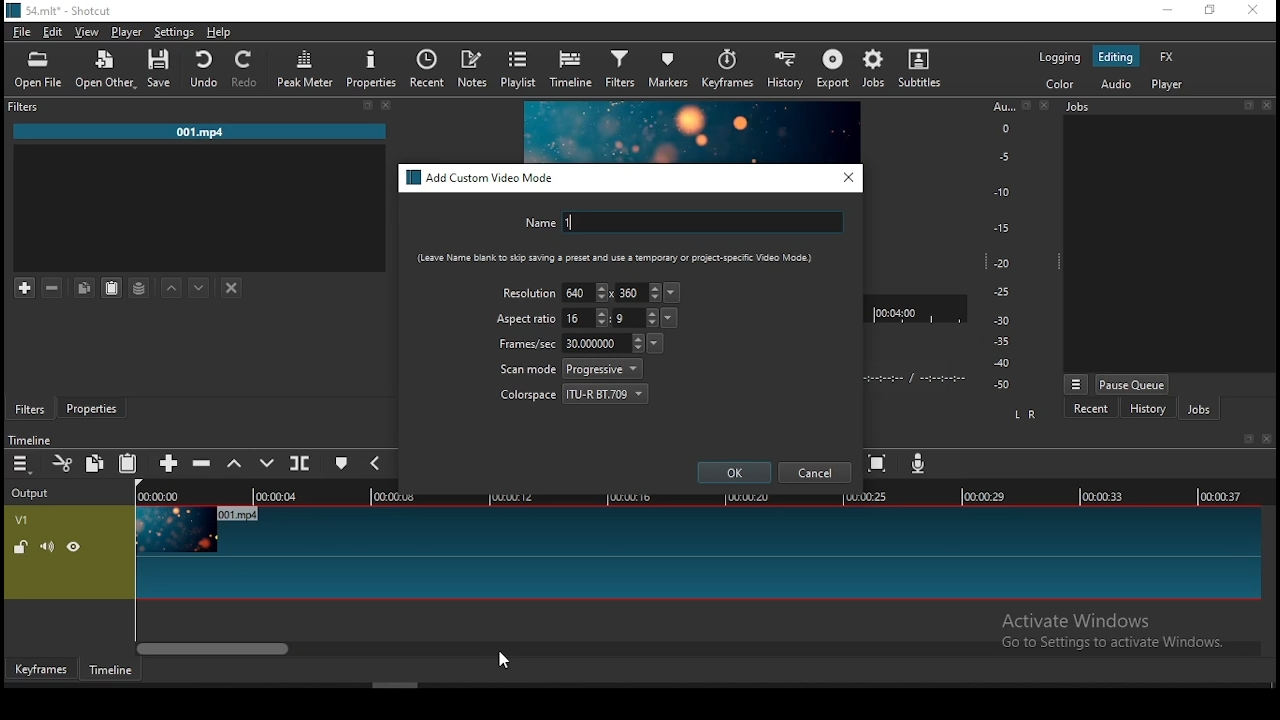 This screenshot has width=1280, height=720. I want to click on aspect ration presets, so click(671, 318).